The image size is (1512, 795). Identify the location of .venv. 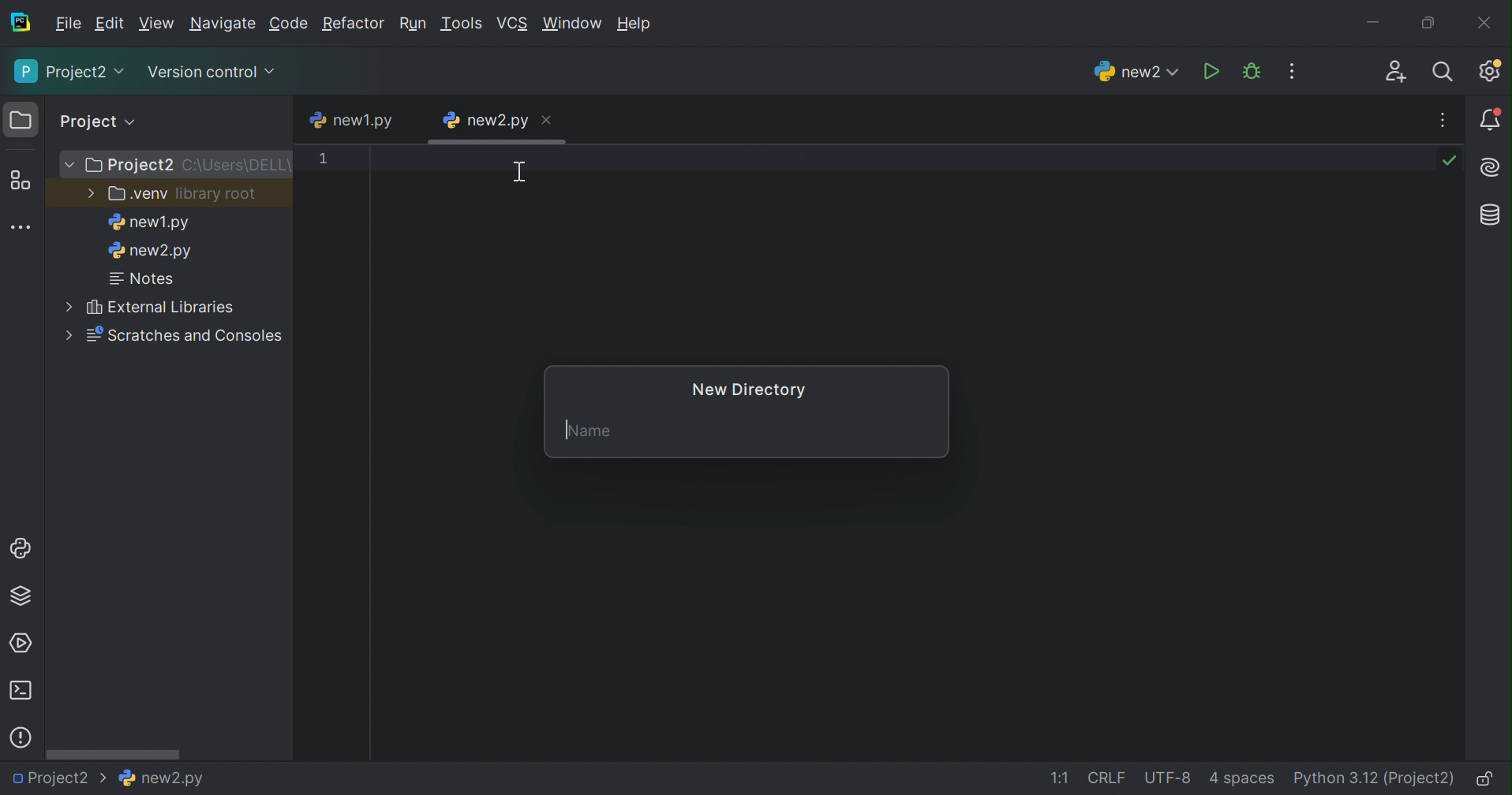
(137, 195).